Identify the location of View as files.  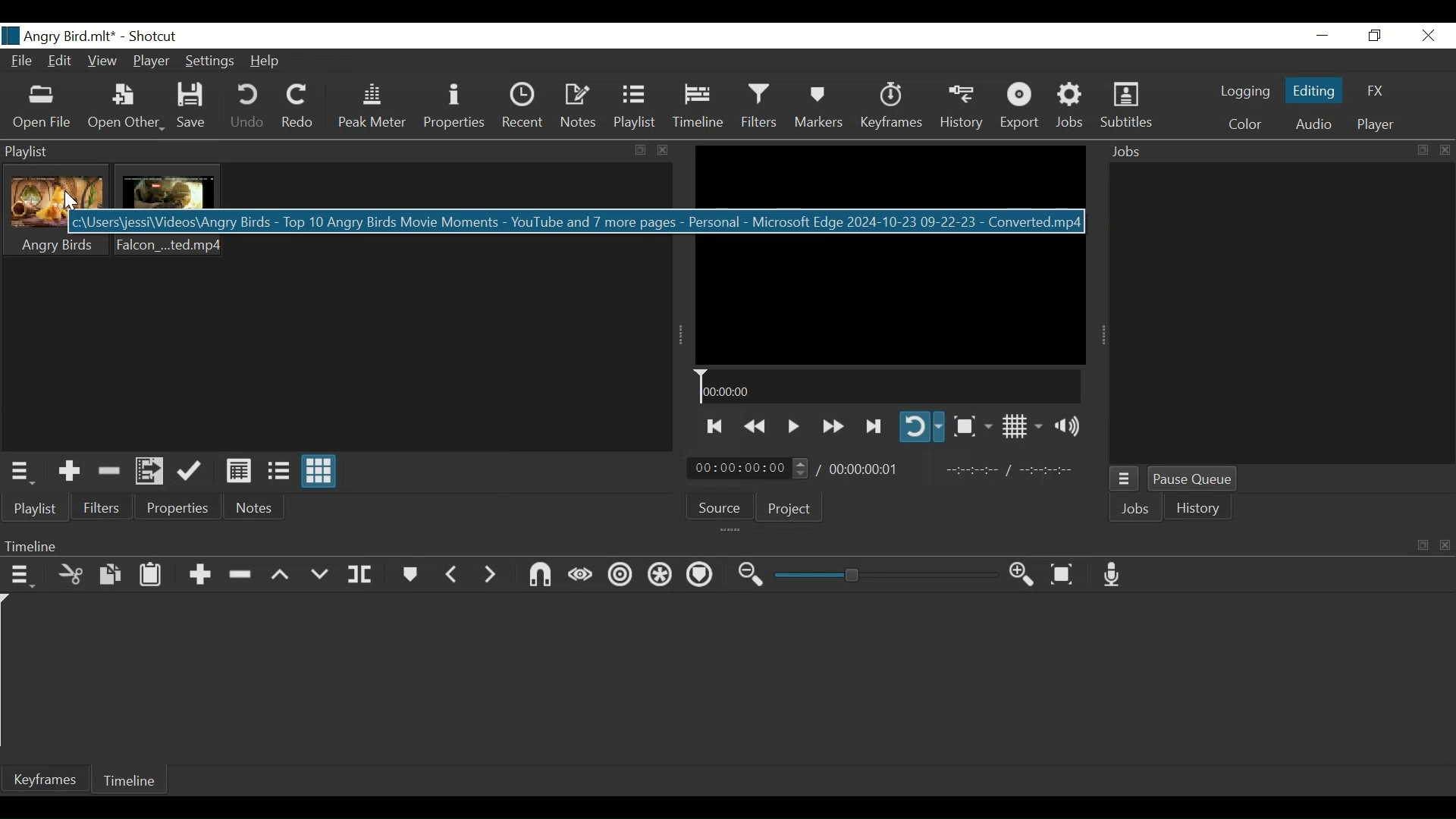
(277, 469).